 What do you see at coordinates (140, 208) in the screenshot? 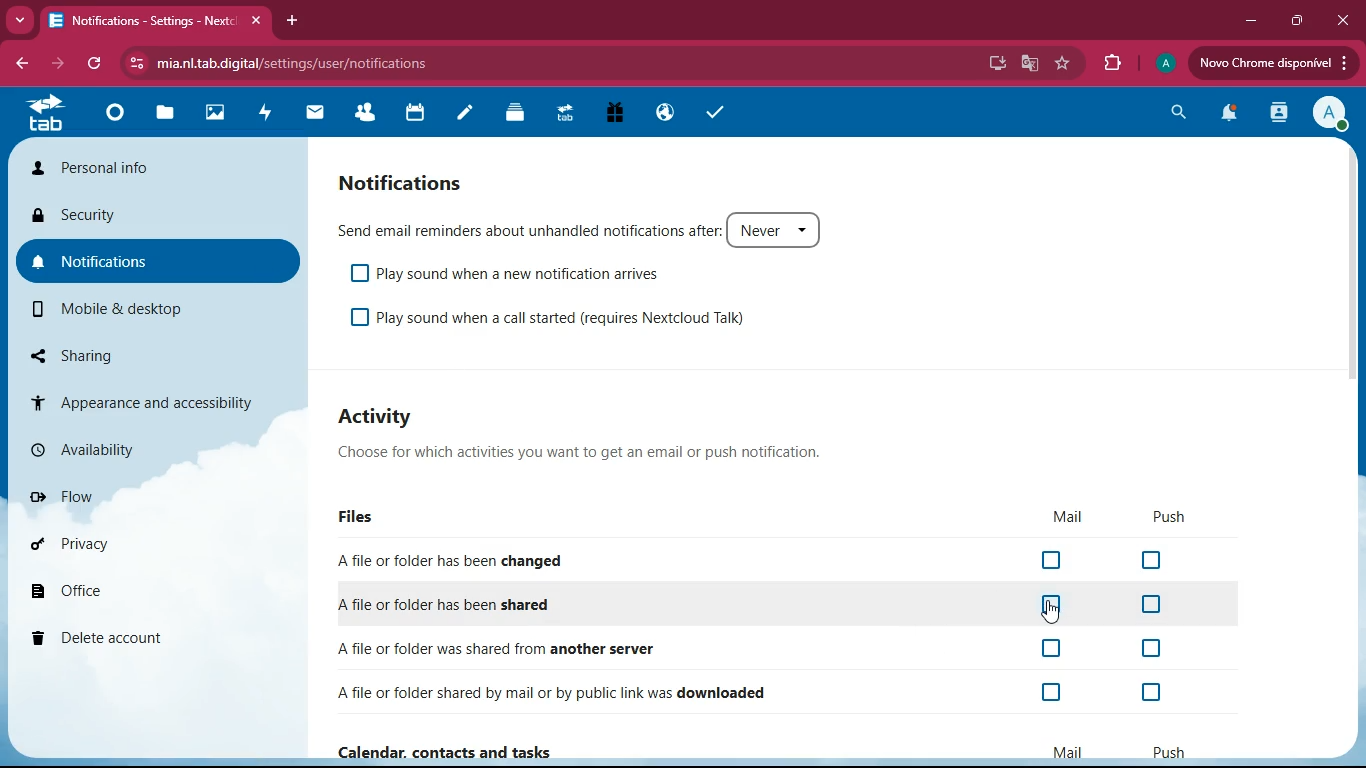
I see `security` at bounding box center [140, 208].